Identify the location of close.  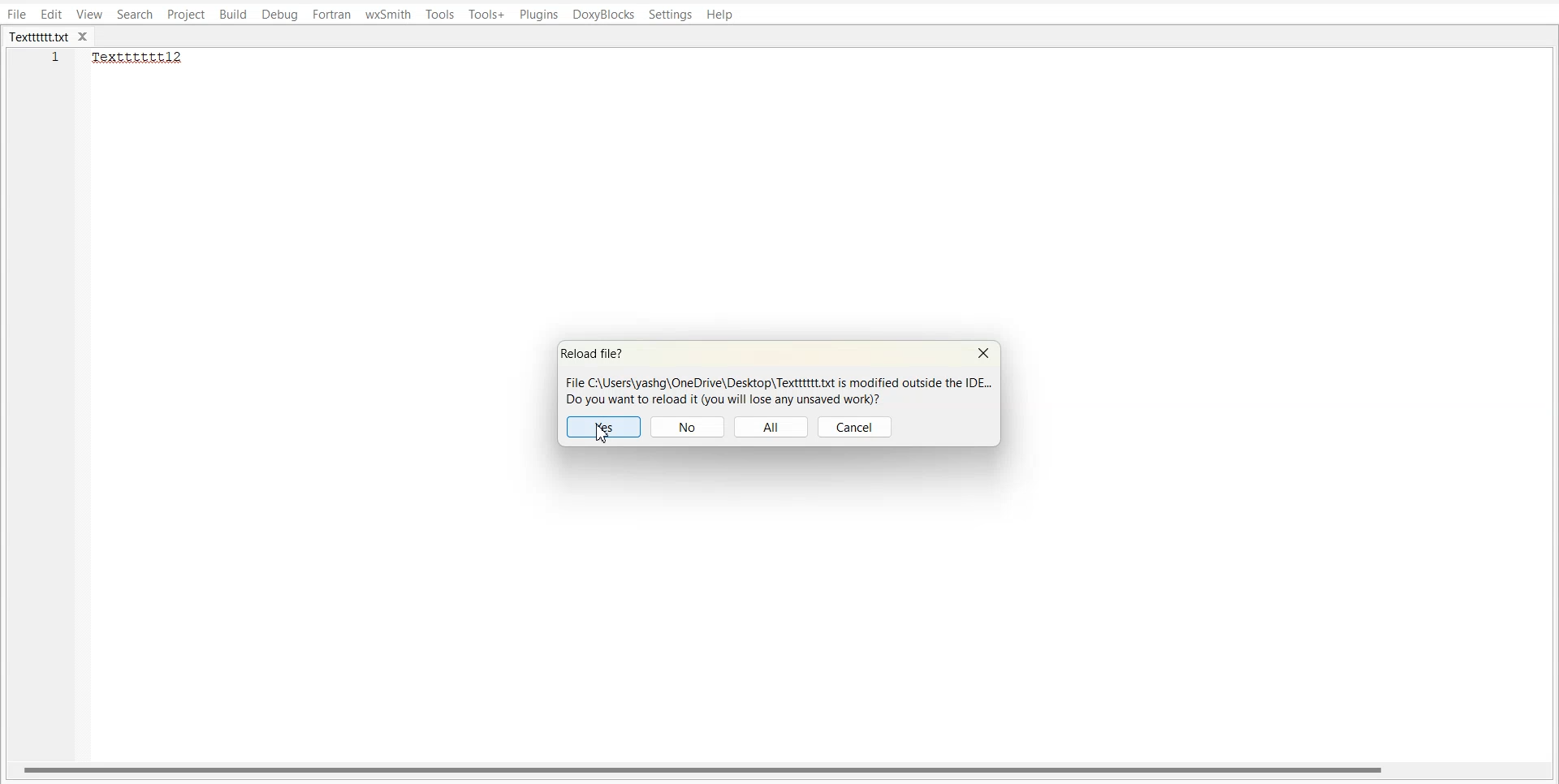
(87, 37).